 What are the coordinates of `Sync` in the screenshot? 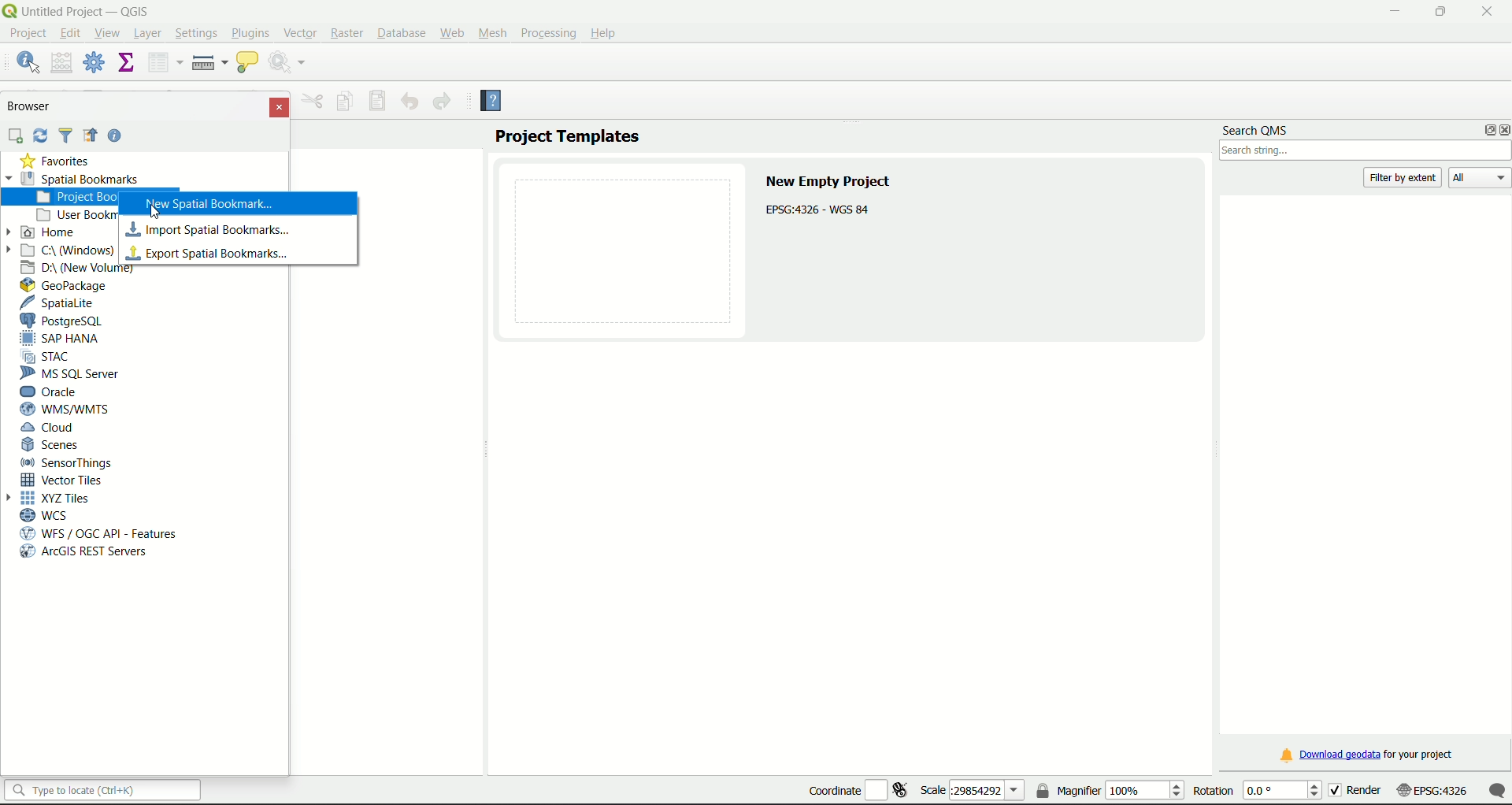 It's located at (41, 135).